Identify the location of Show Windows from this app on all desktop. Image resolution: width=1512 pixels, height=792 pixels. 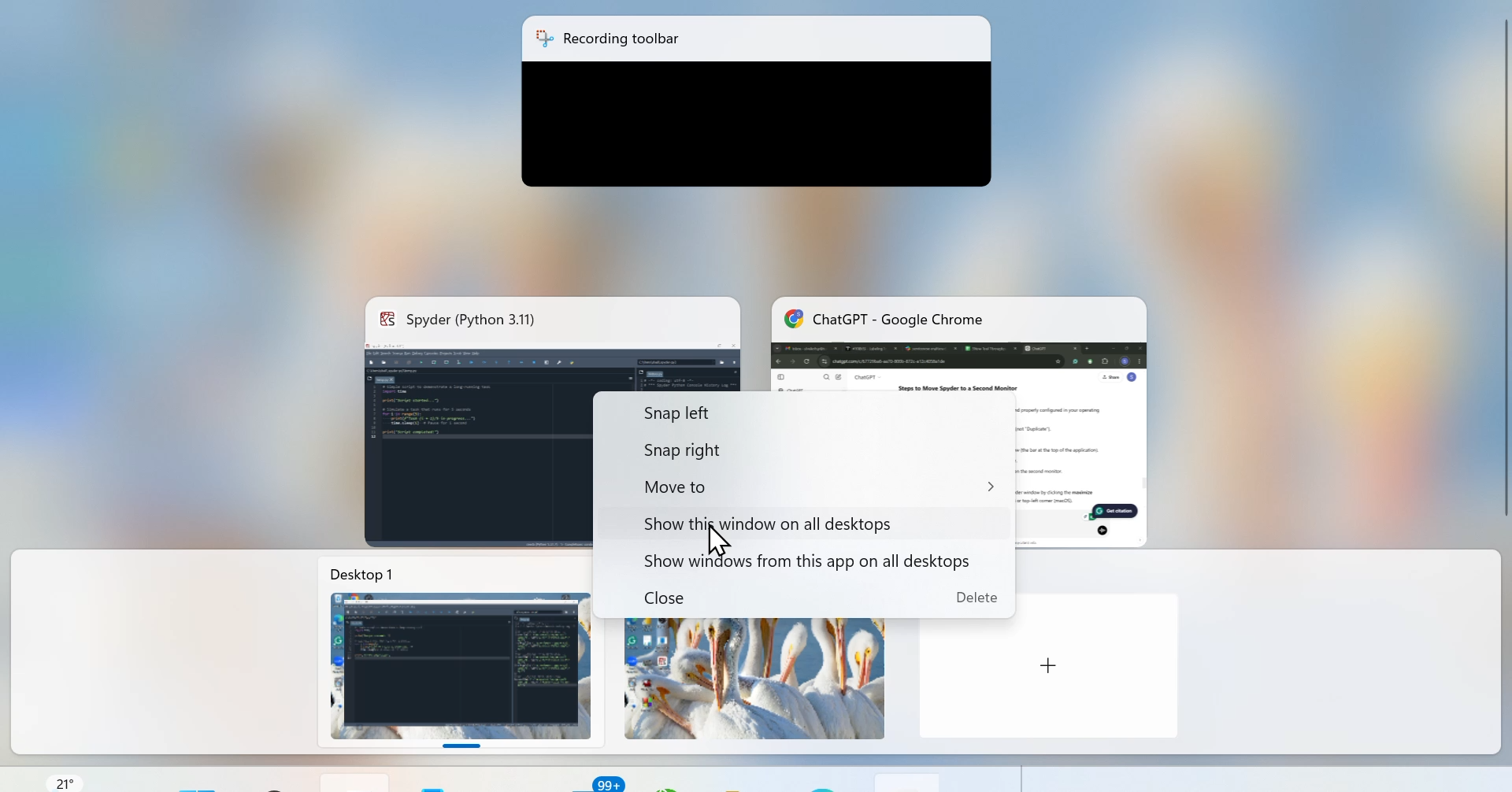
(791, 560).